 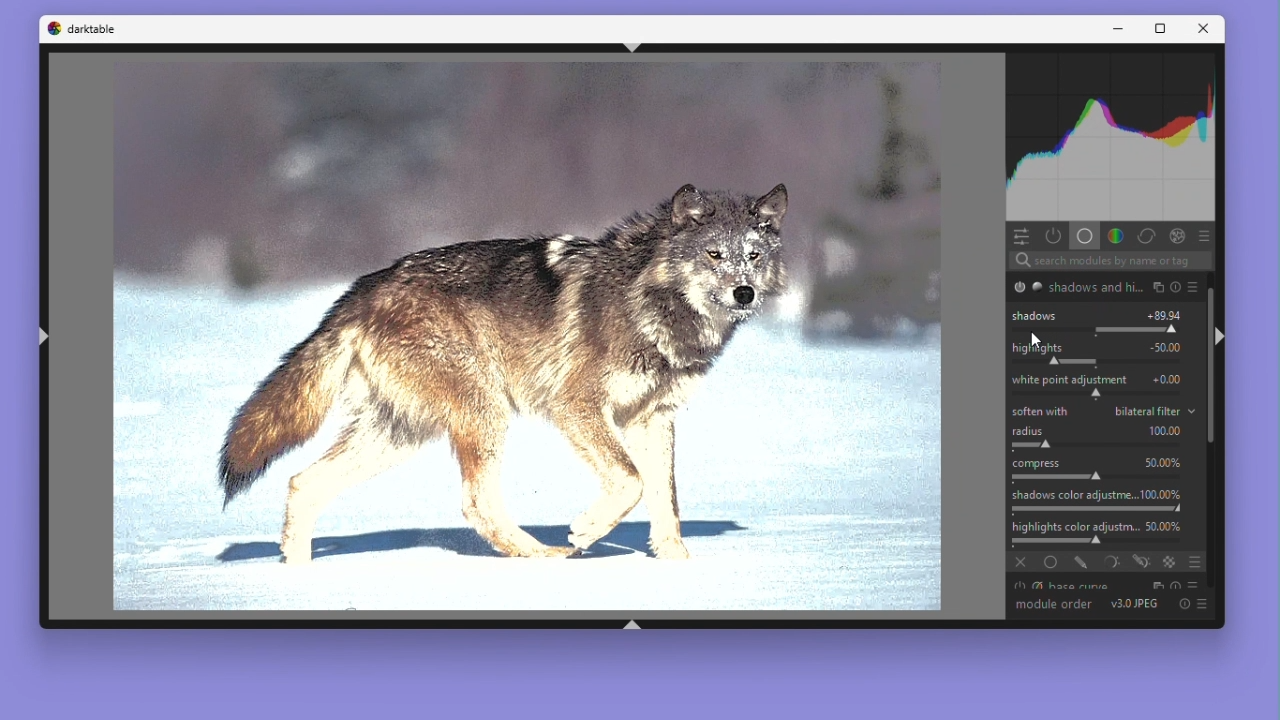 What do you see at coordinates (1029, 431) in the screenshot?
I see `Radius` at bounding box center [1029, 431].